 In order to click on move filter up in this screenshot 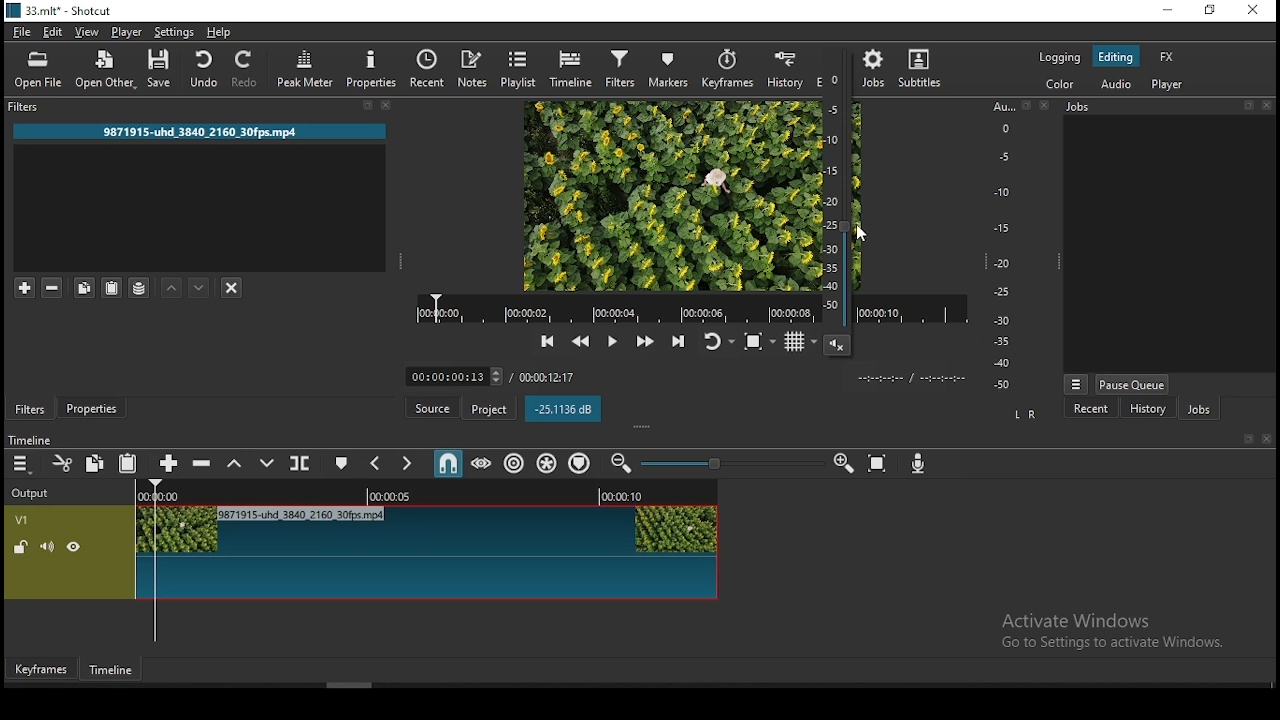, I will do `click(173, 288)`.